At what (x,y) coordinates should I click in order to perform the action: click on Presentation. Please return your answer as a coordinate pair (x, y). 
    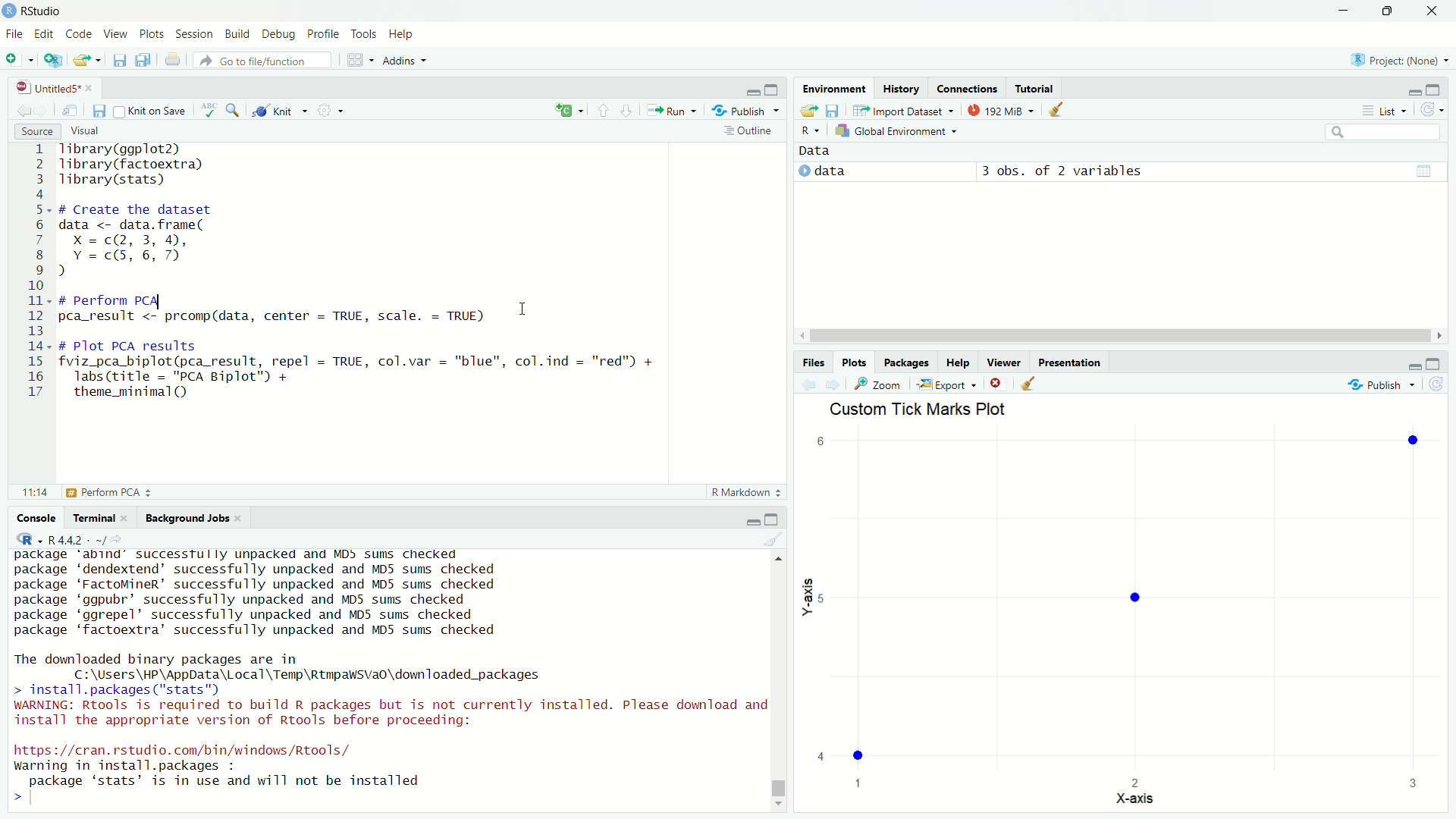
    Looking at the image, I should click on (1070, 362).